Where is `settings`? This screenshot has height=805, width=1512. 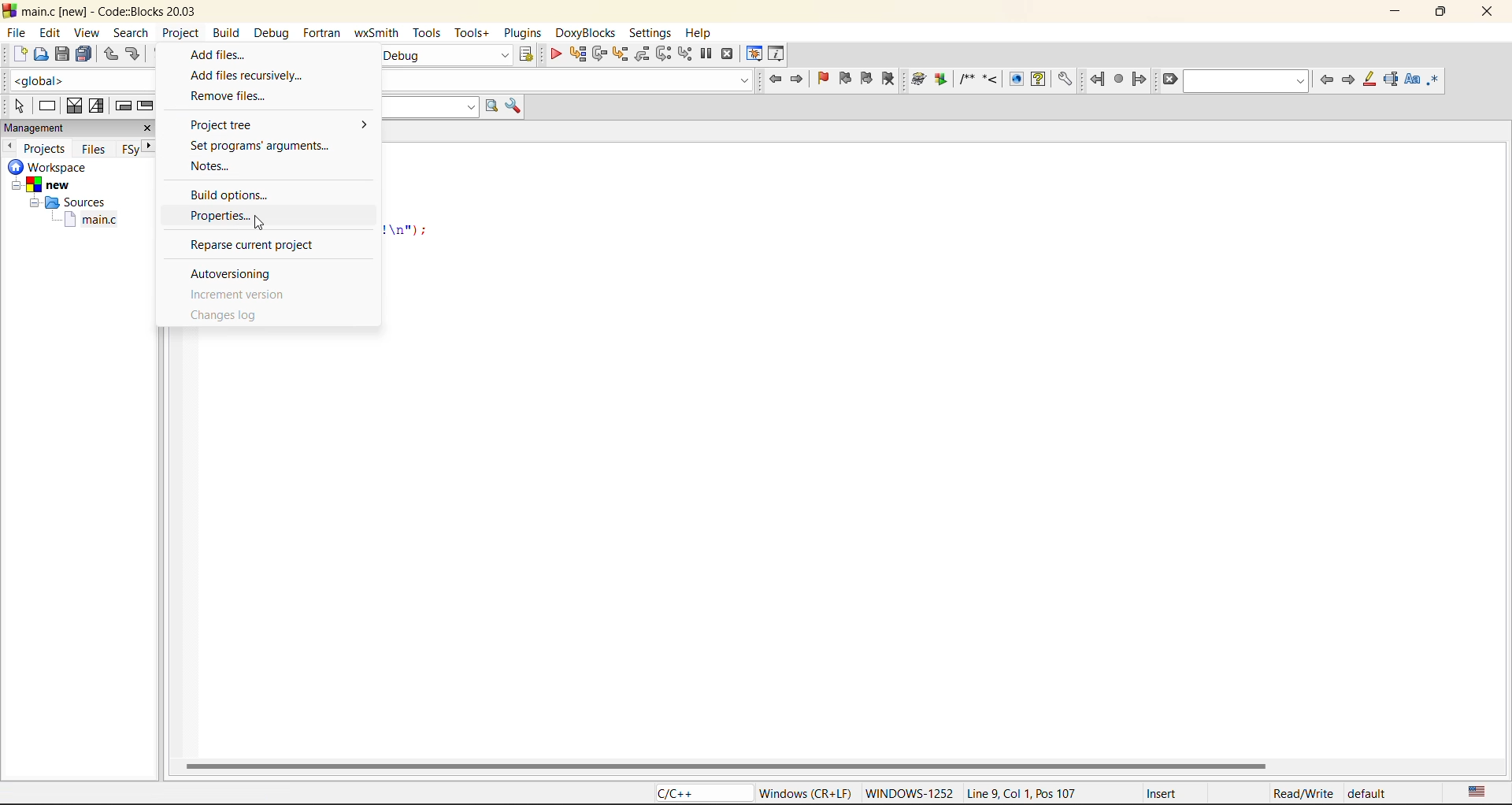
settings is located at coordinates (653, 34).